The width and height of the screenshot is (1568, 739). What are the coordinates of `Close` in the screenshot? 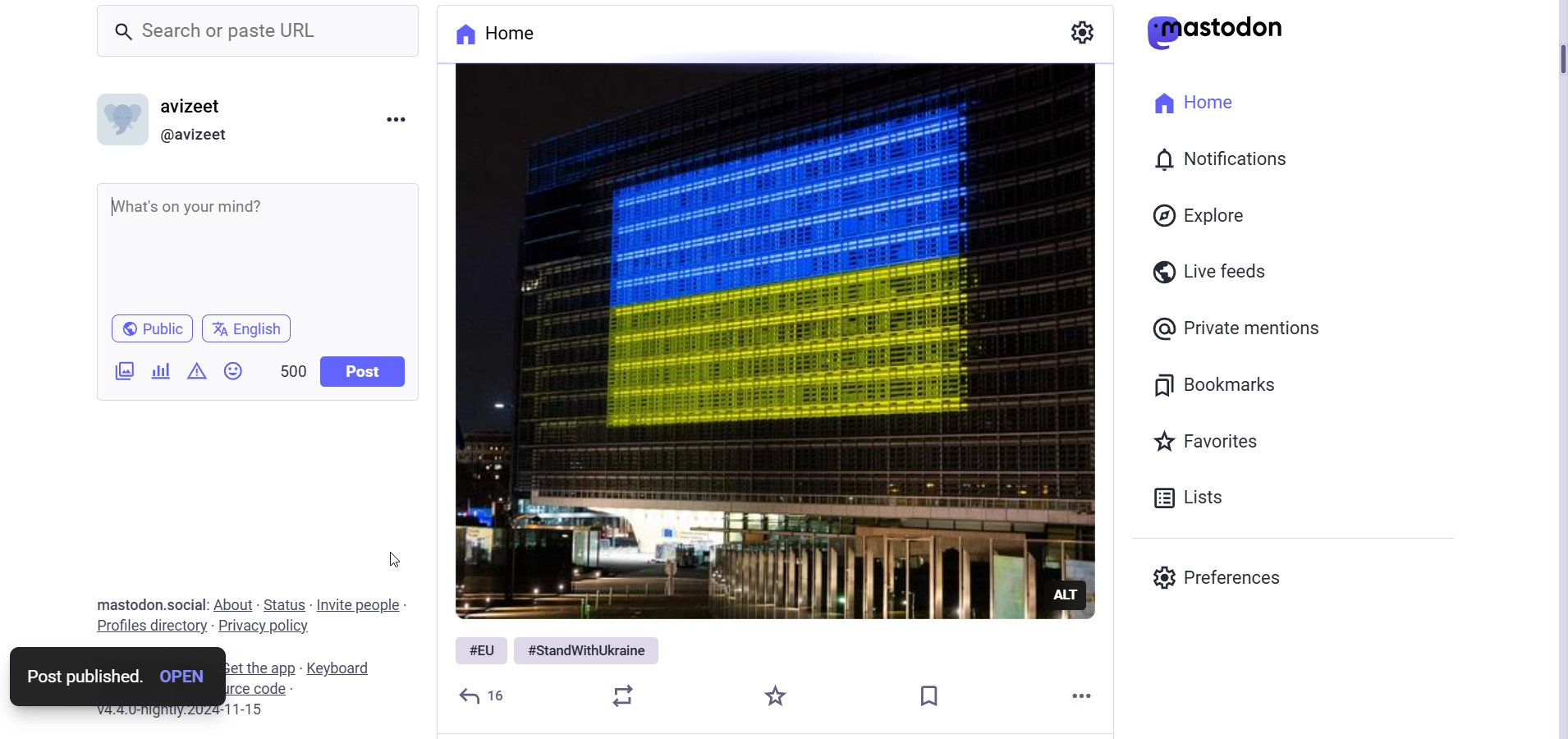 It's located at (395, 115).